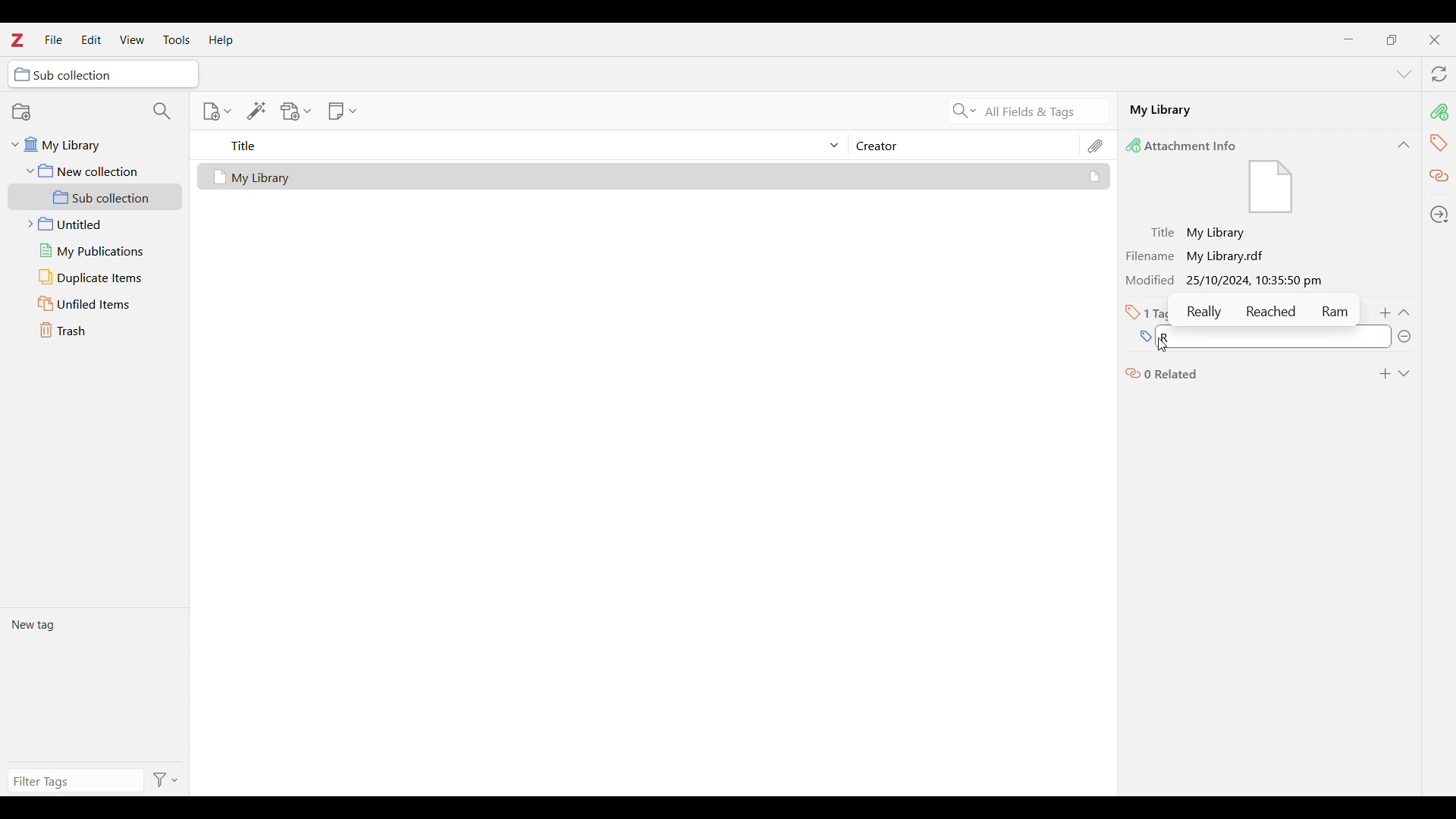  What do you see at coordinates (1200, 256) in the screenshot?
I see `Filename My Library.radt` at bounding box center [1200, 256].